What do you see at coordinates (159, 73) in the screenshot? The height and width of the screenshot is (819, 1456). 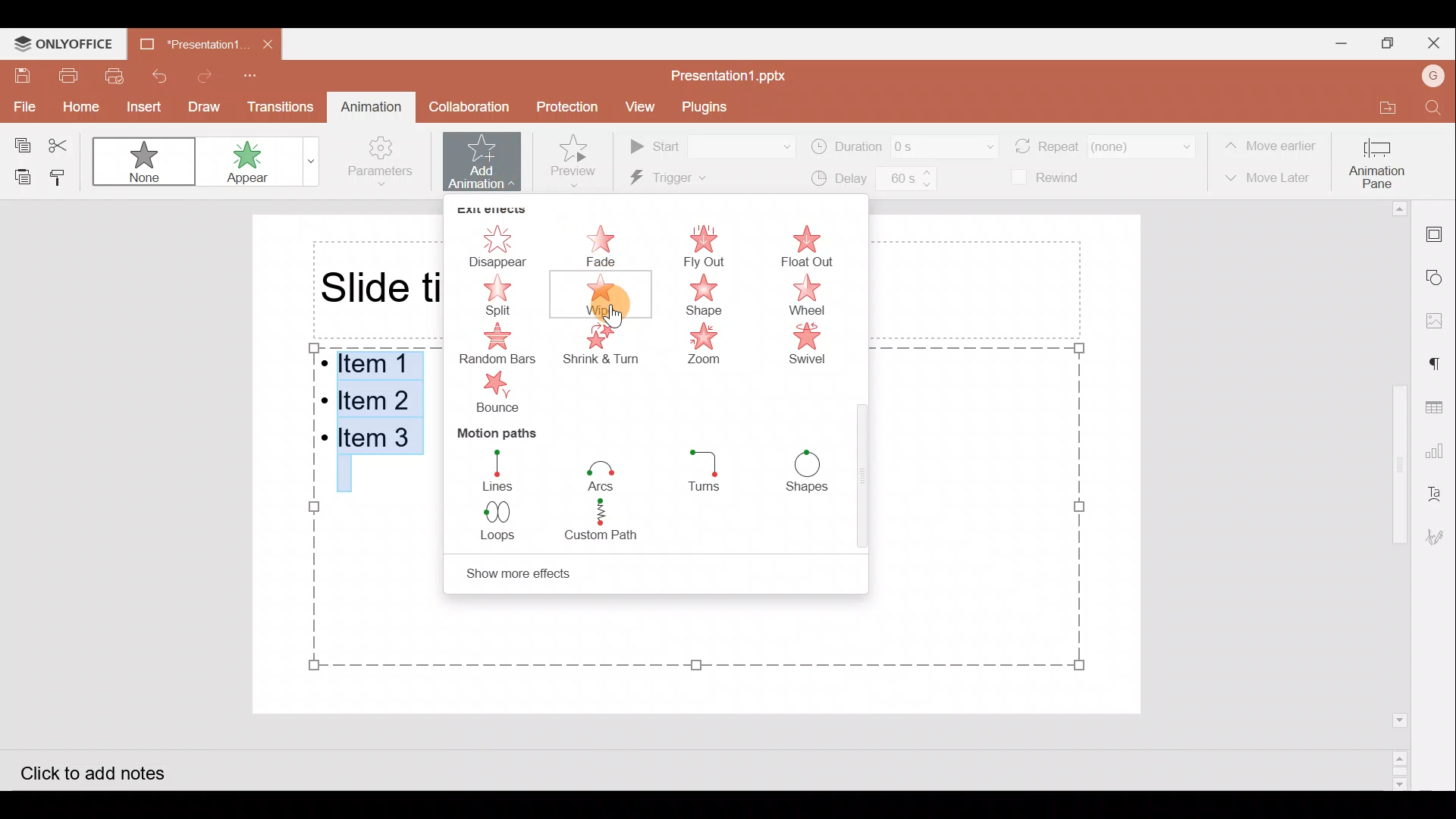 I see `Undo` at bounding box center [159, 73].